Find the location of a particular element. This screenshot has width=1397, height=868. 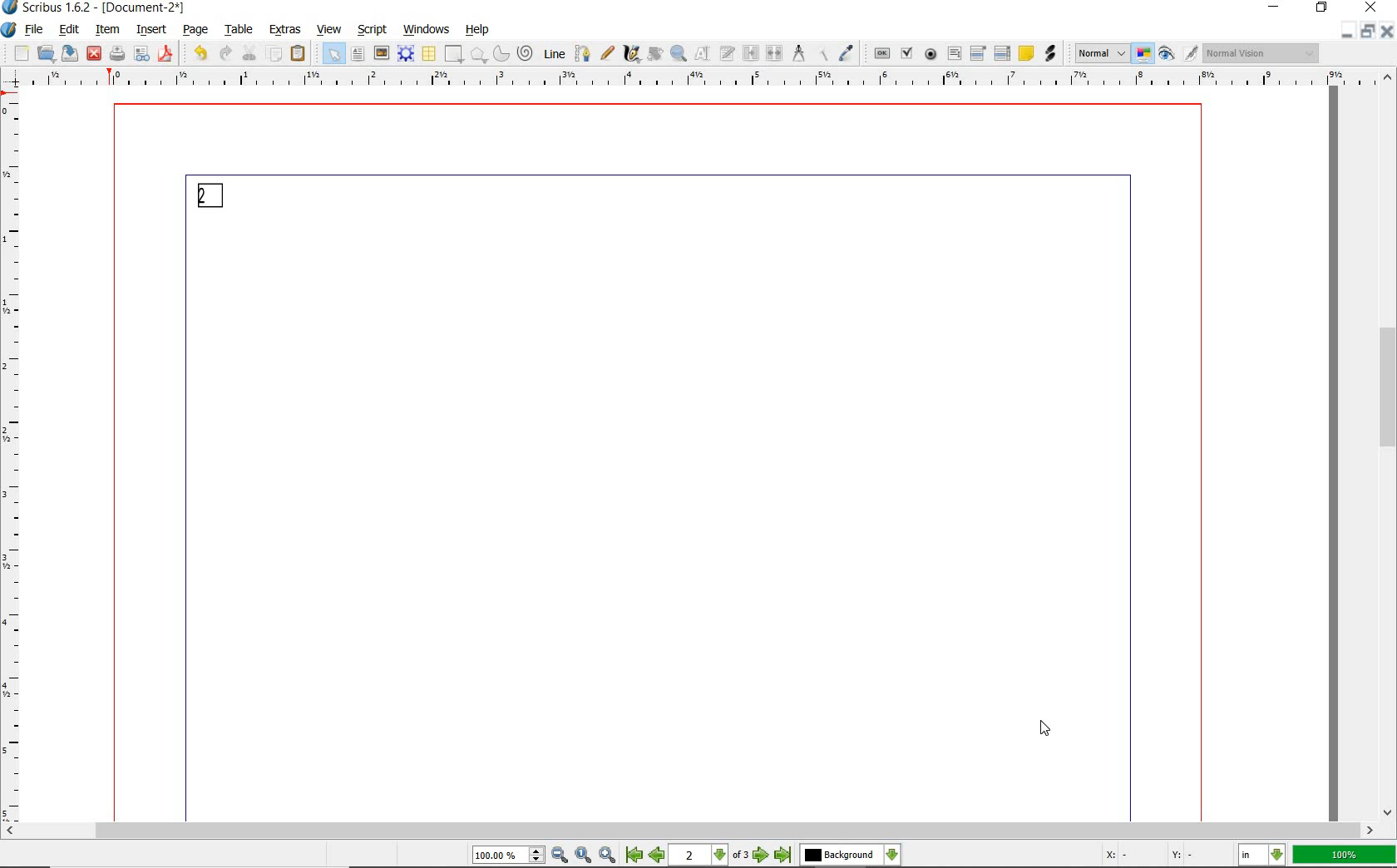

Page 2 Numbering is located at coordinates (212, 194).